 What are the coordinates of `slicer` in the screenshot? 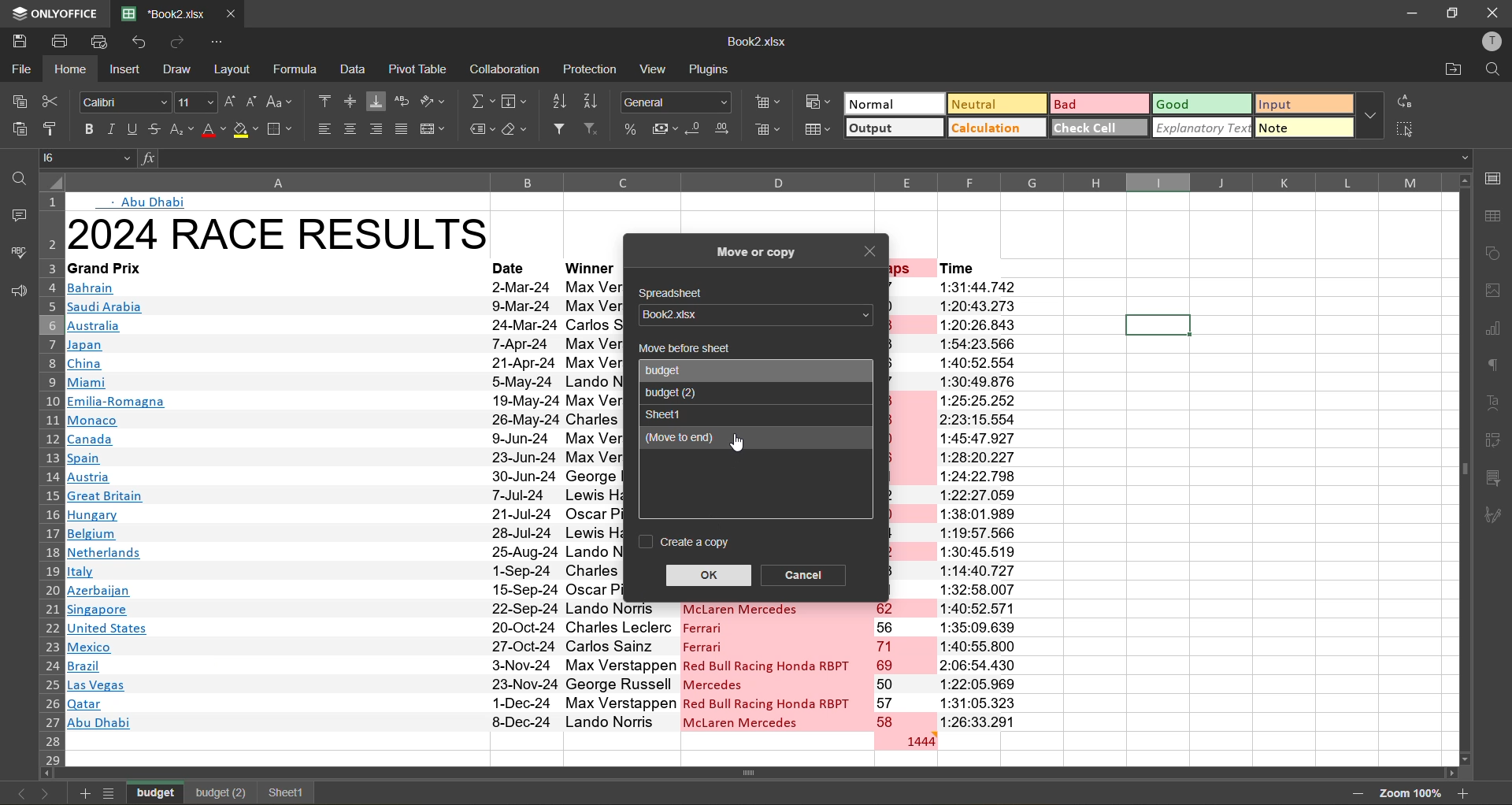 It's located at (1498, 480).